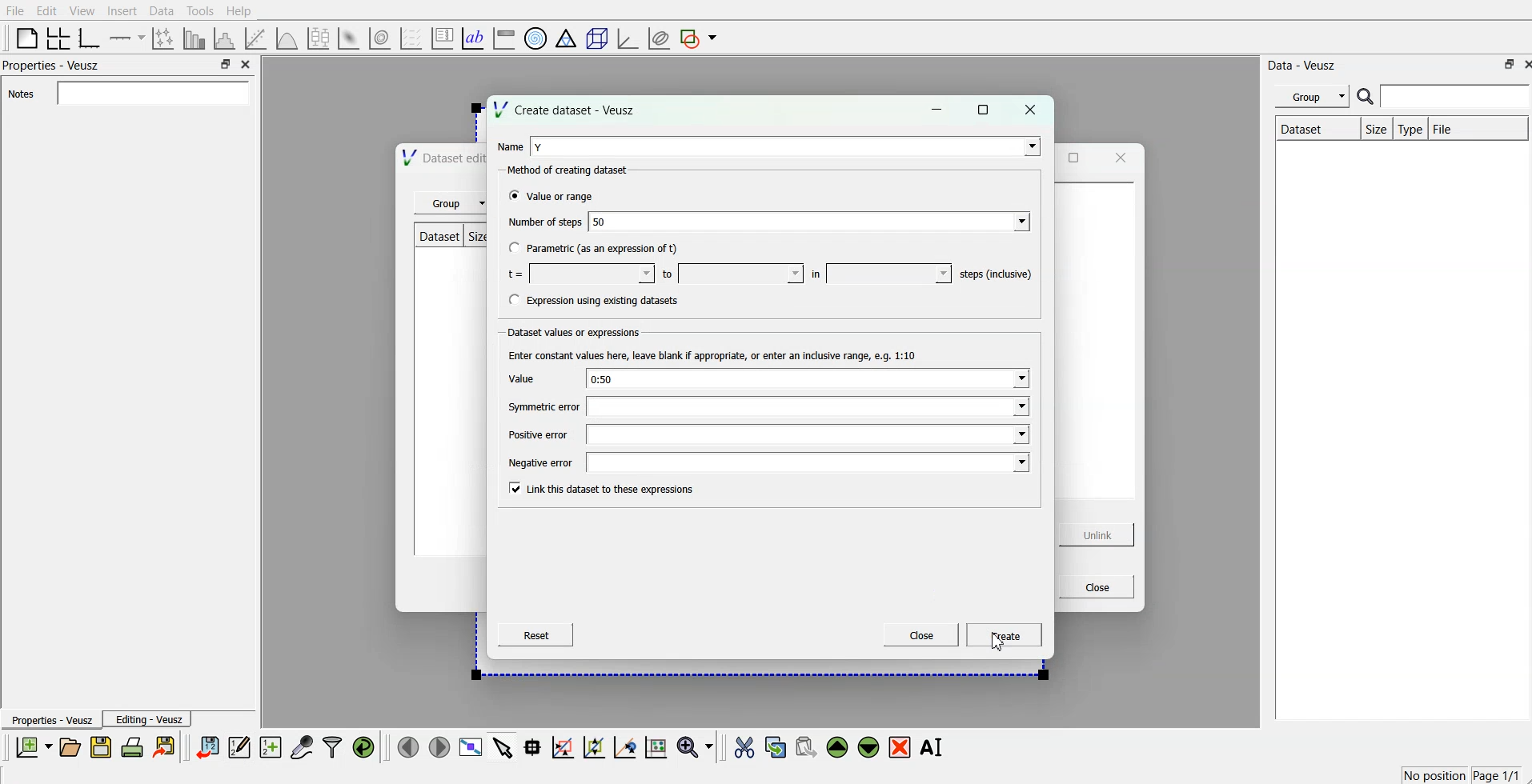 The image size is (1532, 784). Describe the element at coordinates (101, 748) in the screenshot. I see `save document` at that location.